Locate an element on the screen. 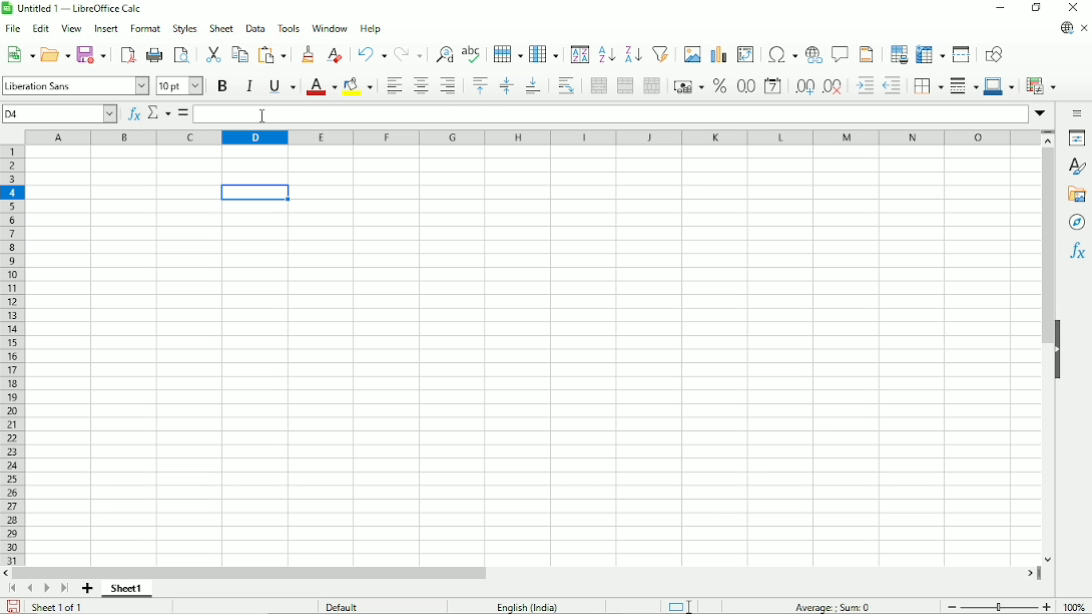 This screenshot has width=1092, height=614. Italic is located at coordinates (249, 86).